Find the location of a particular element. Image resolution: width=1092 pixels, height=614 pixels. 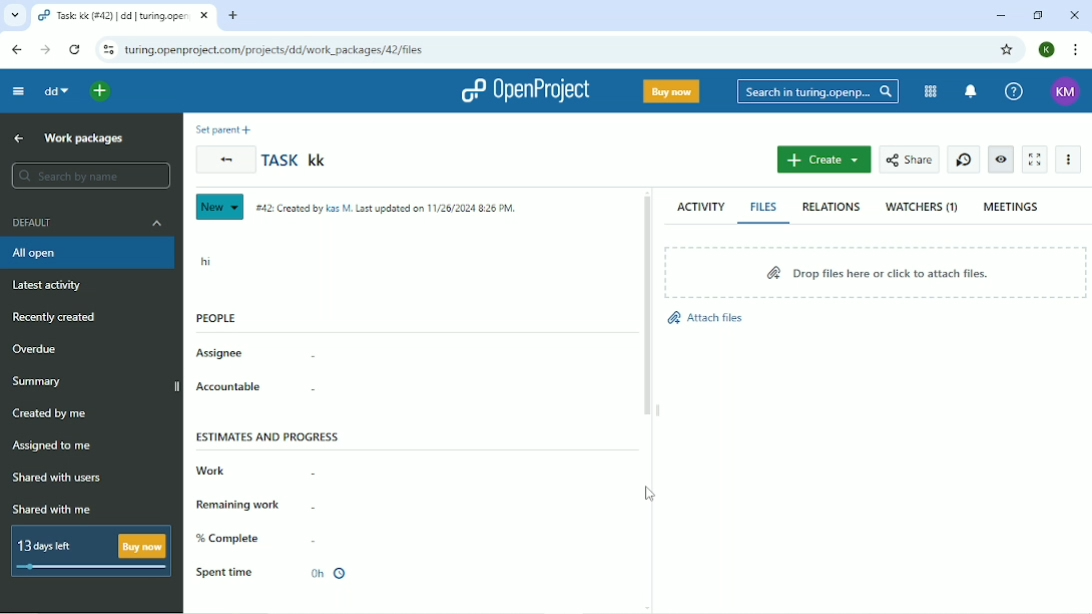

Created by me is located at coordinates (49, 413).